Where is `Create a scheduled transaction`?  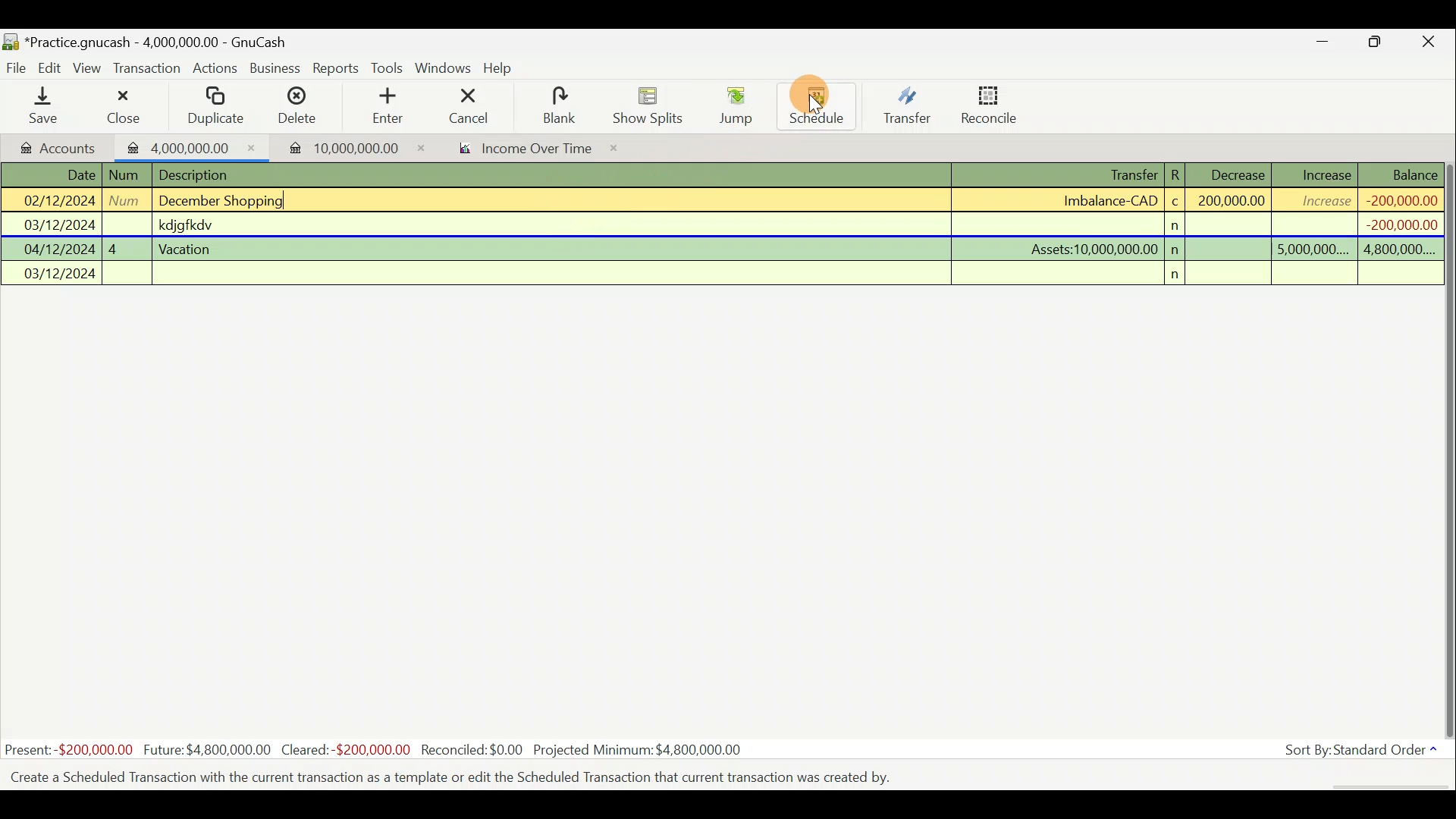 Create a scheduled transaction is located at coordinates (461, 776).